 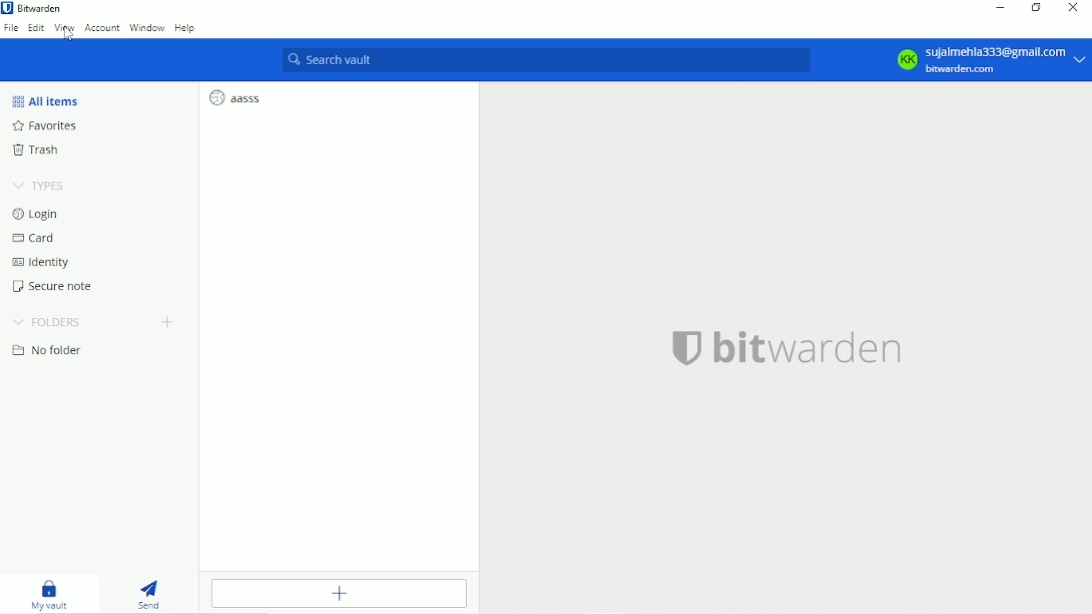 What do you see at coordinates (101, 28) in the screenshot?
I see `Account` at bounding box center [101, 28].